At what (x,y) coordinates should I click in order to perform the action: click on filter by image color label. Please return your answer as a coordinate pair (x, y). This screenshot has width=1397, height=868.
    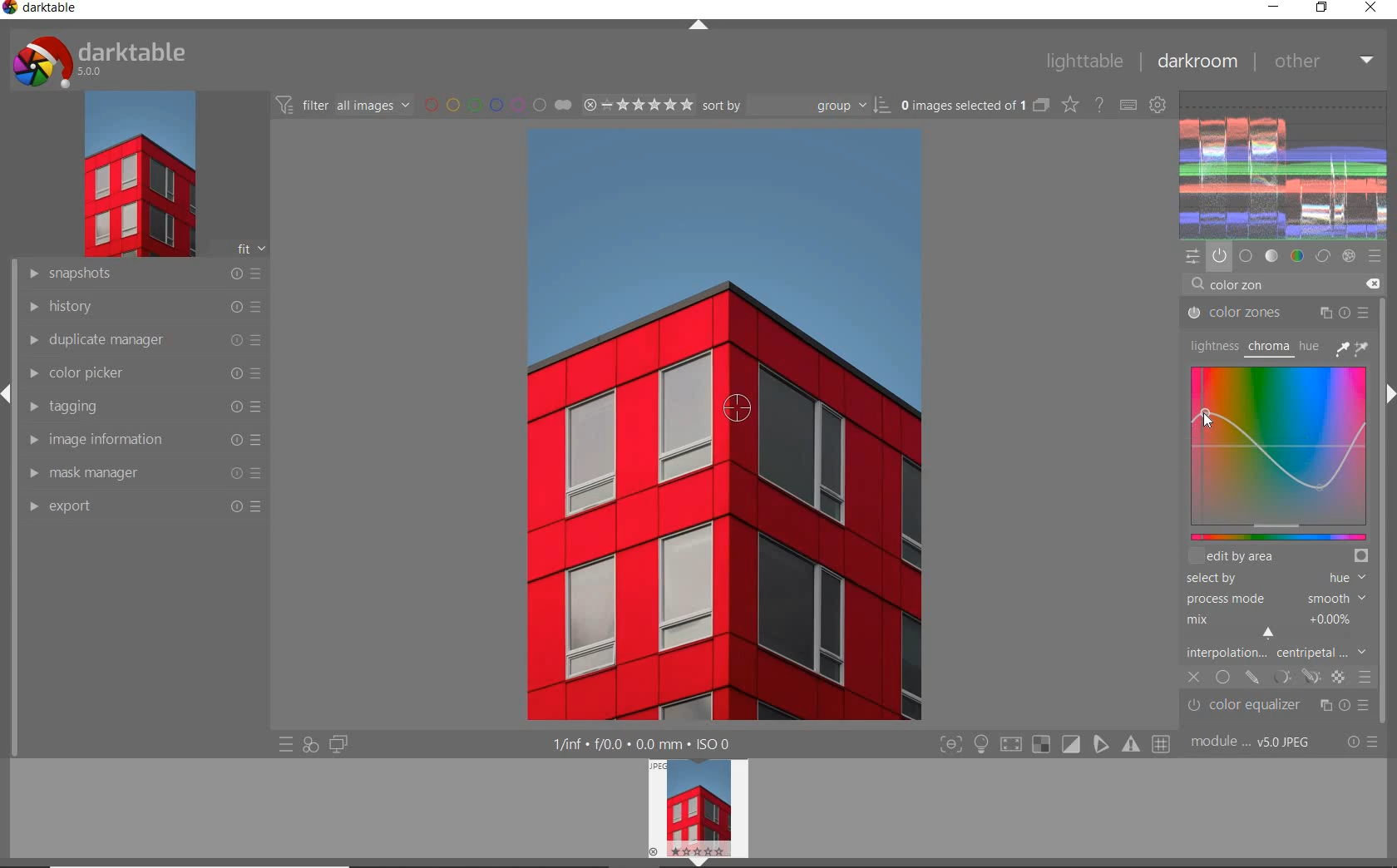
    Looking at the image, I should click on (497, 105).